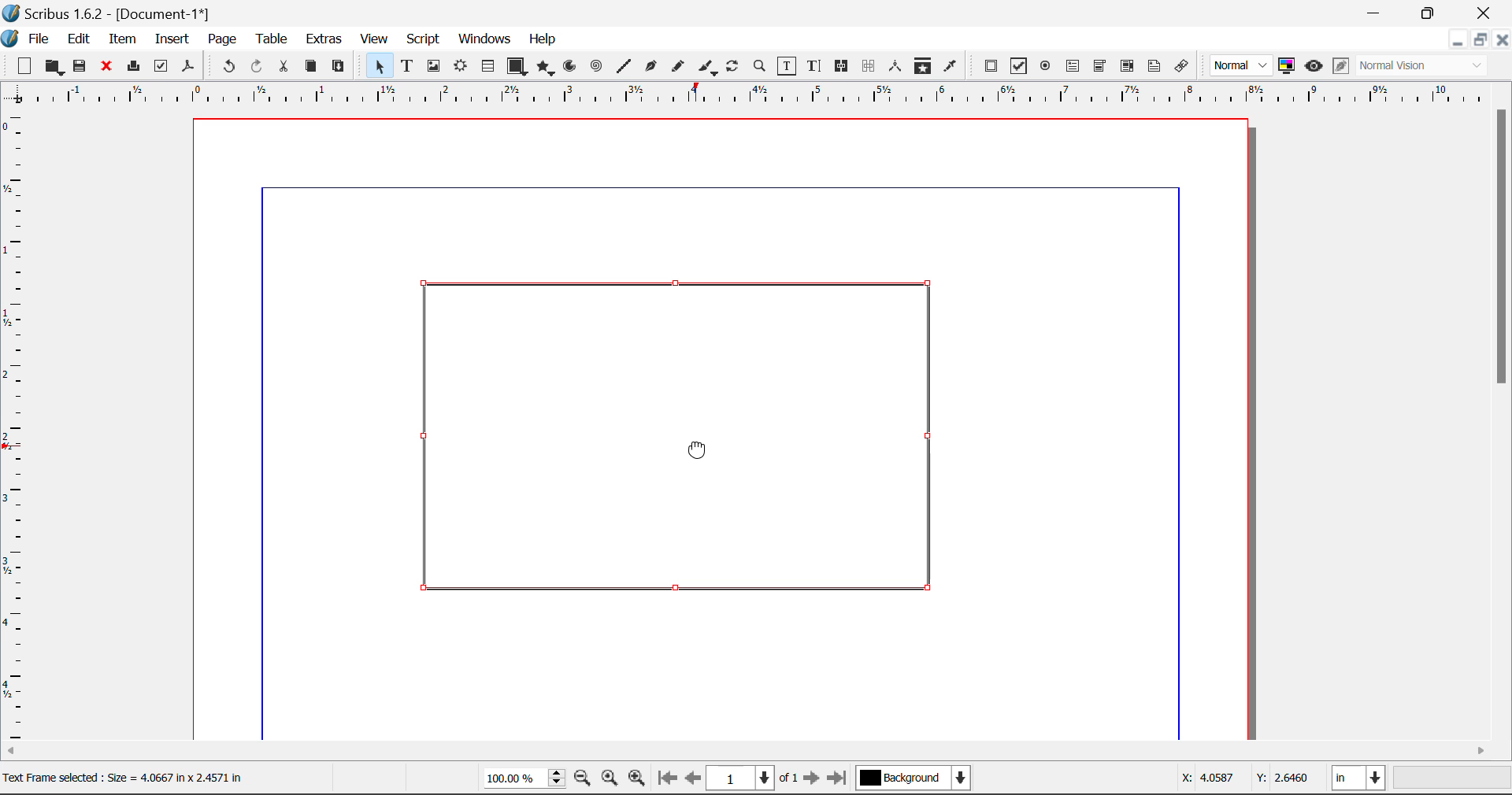  Describe the element at coordinates (107, 67) in the screenshot. I see `Discard` at that location.